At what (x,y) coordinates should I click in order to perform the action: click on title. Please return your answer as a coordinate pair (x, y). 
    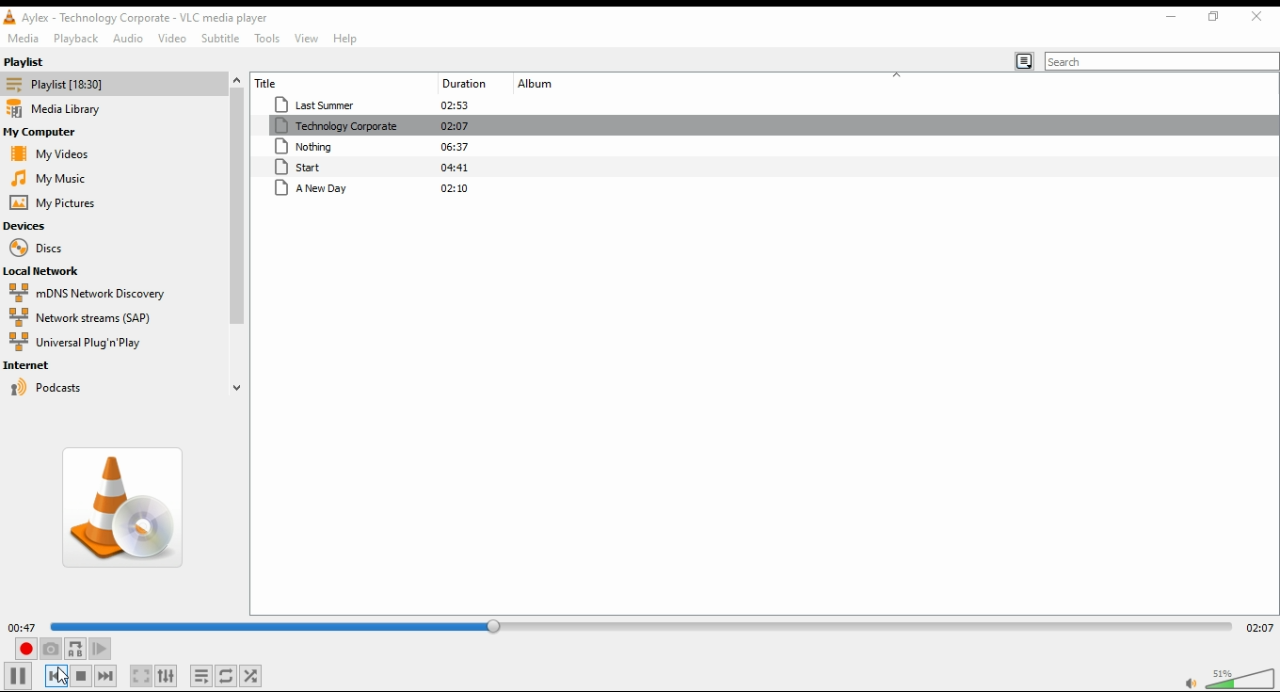
    Looking at the image, I should click on (300, 82).